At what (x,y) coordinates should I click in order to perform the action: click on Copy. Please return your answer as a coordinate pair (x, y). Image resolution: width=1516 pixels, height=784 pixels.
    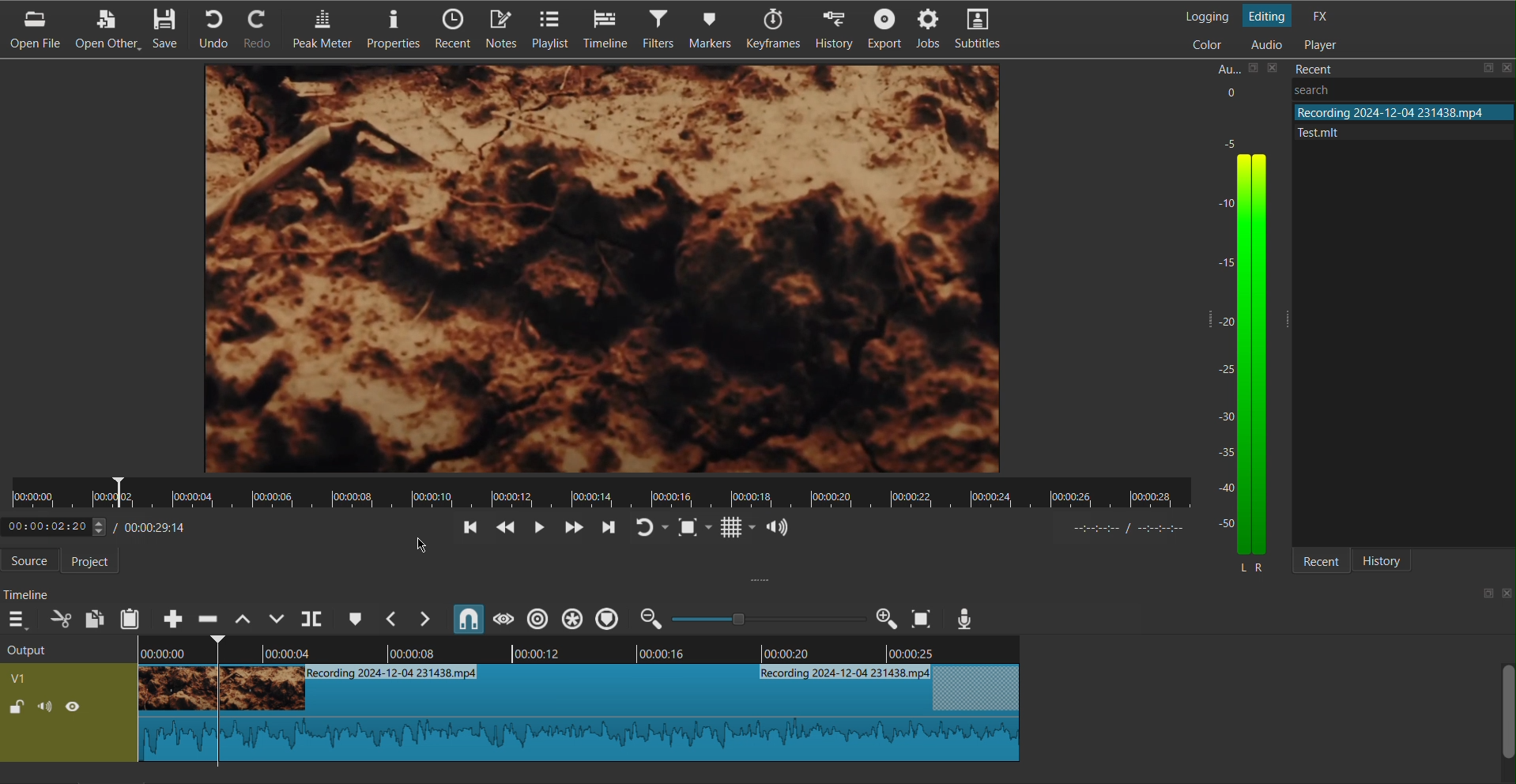
    Looking at the image, I should click on (95, 617).